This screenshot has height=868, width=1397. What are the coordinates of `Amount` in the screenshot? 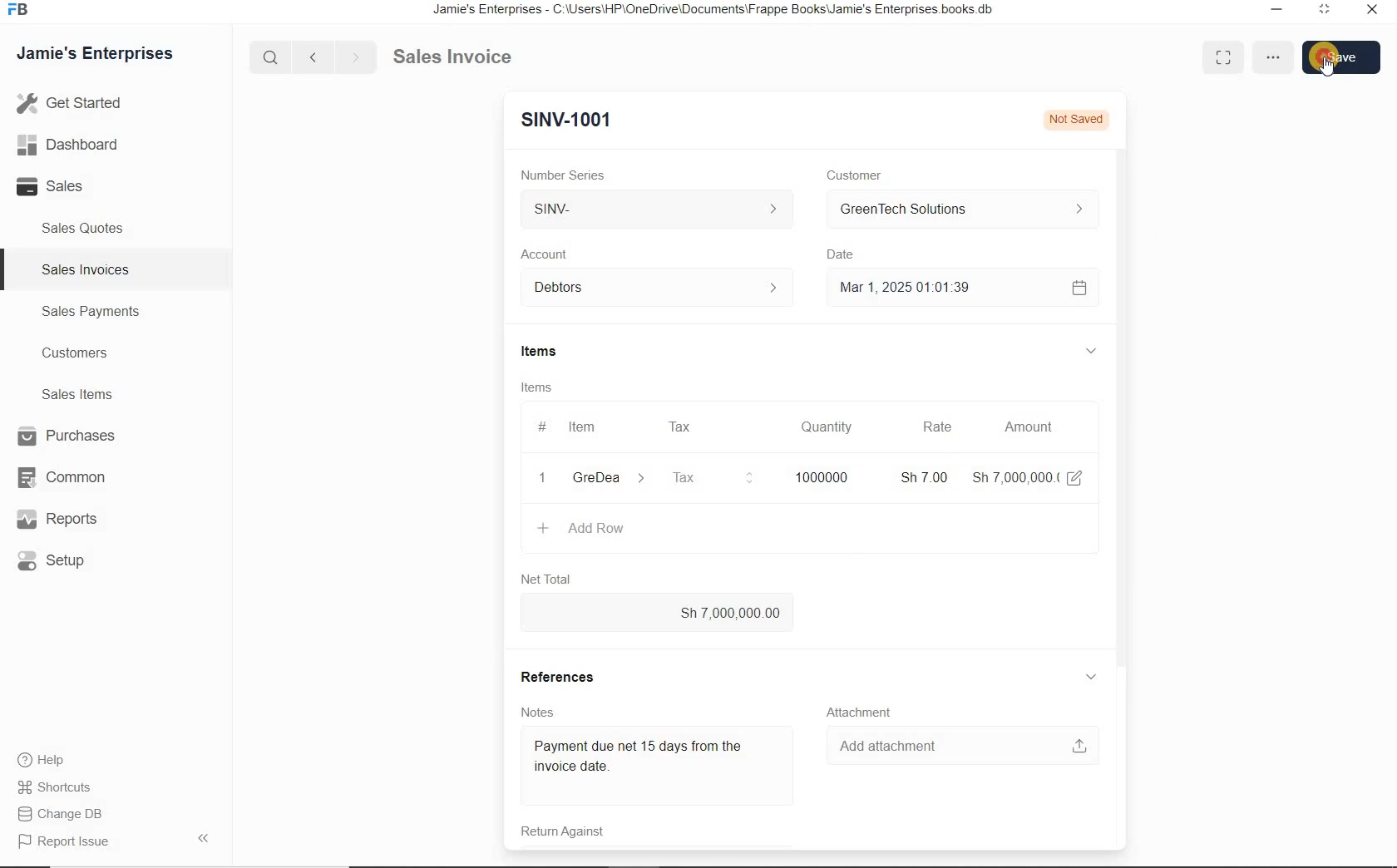 It's located at (1028, 427).